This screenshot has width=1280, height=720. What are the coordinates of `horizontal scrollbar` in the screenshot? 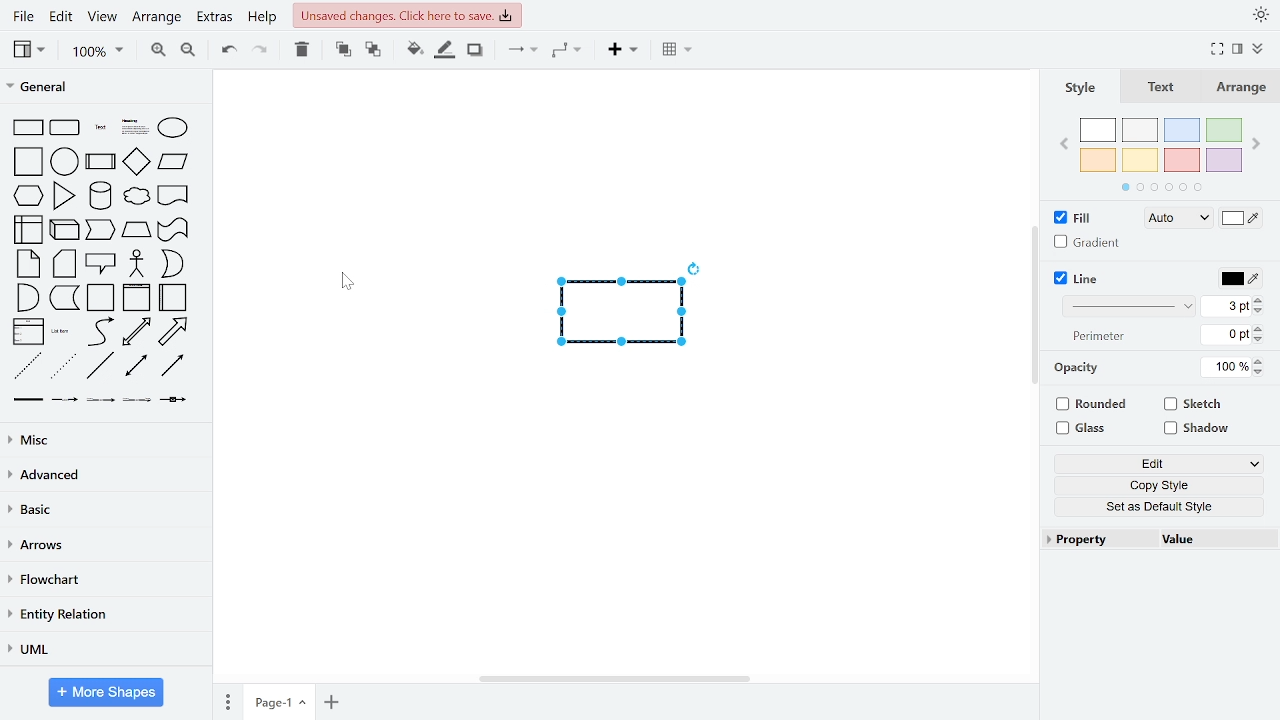 It's located at (613, 680).